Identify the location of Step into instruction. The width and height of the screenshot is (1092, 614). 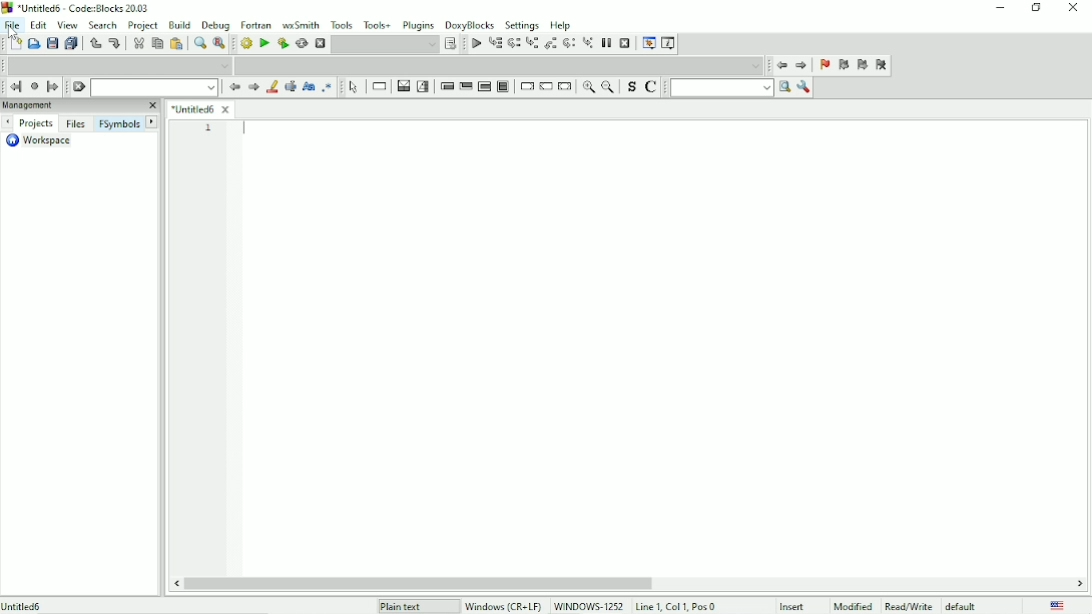
(588, 44).